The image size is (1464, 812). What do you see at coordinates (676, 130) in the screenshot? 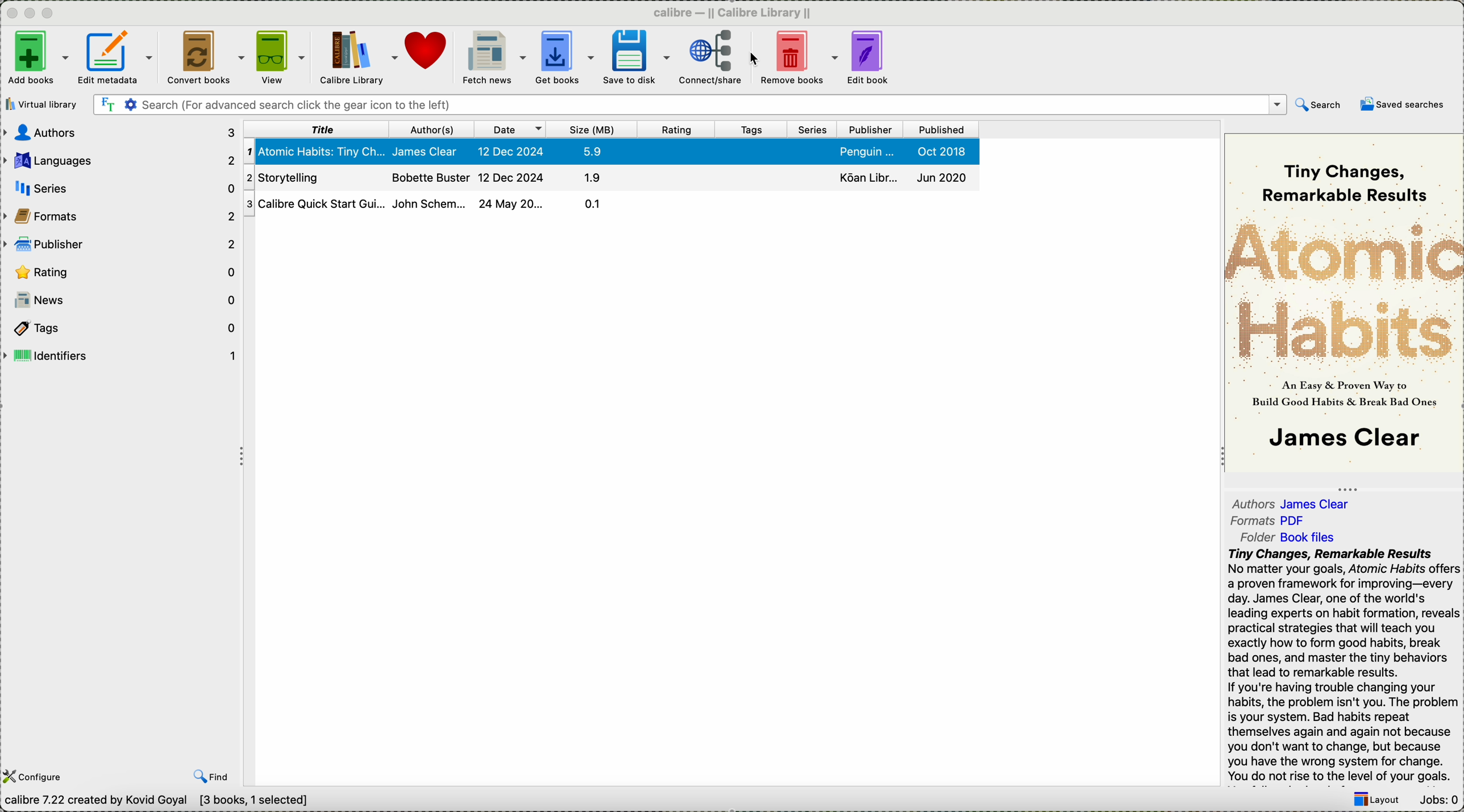
I see `rating` at bounding box center [676, 130].